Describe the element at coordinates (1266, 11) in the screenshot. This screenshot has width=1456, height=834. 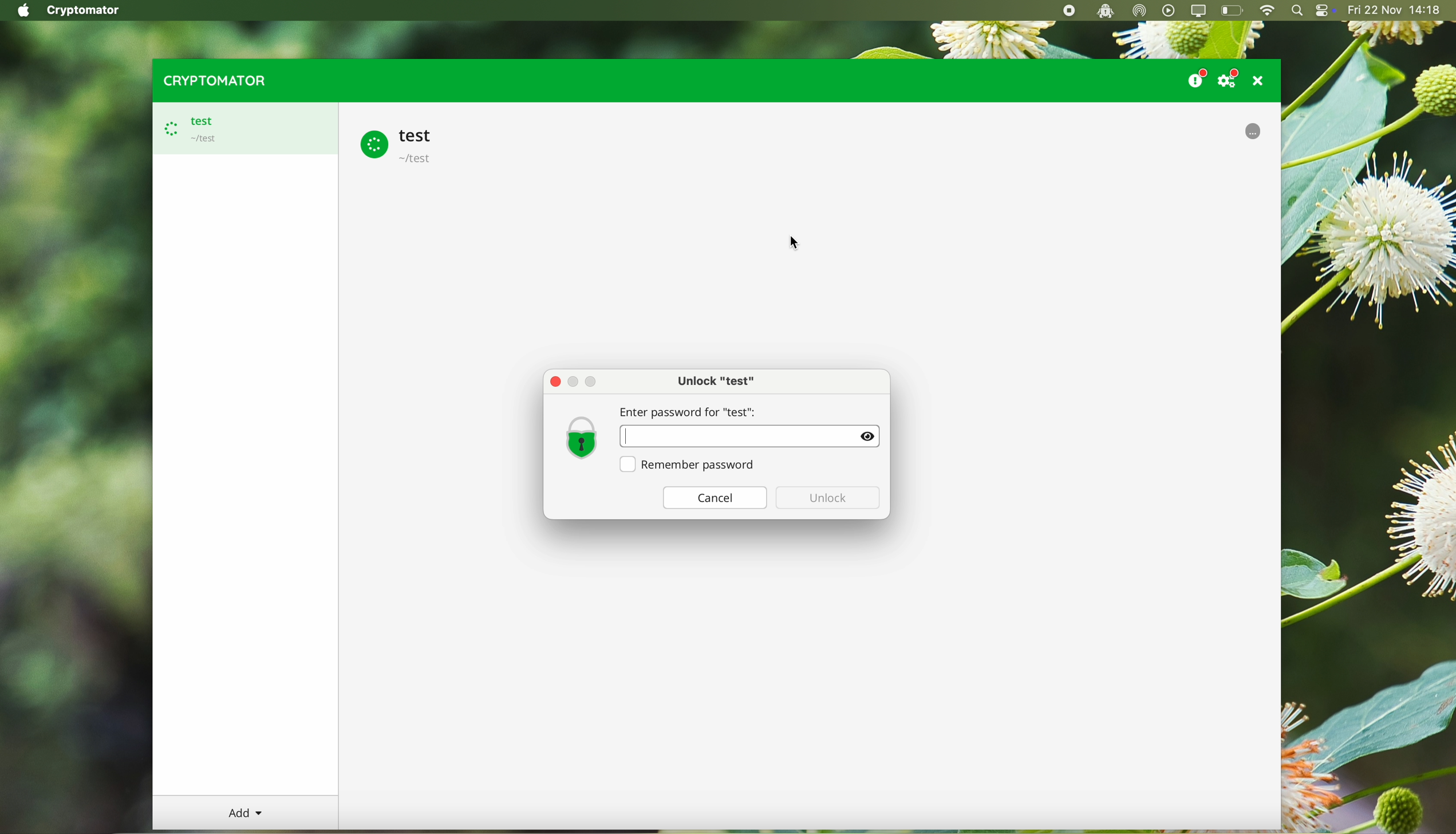
I see `wifi` at that location.